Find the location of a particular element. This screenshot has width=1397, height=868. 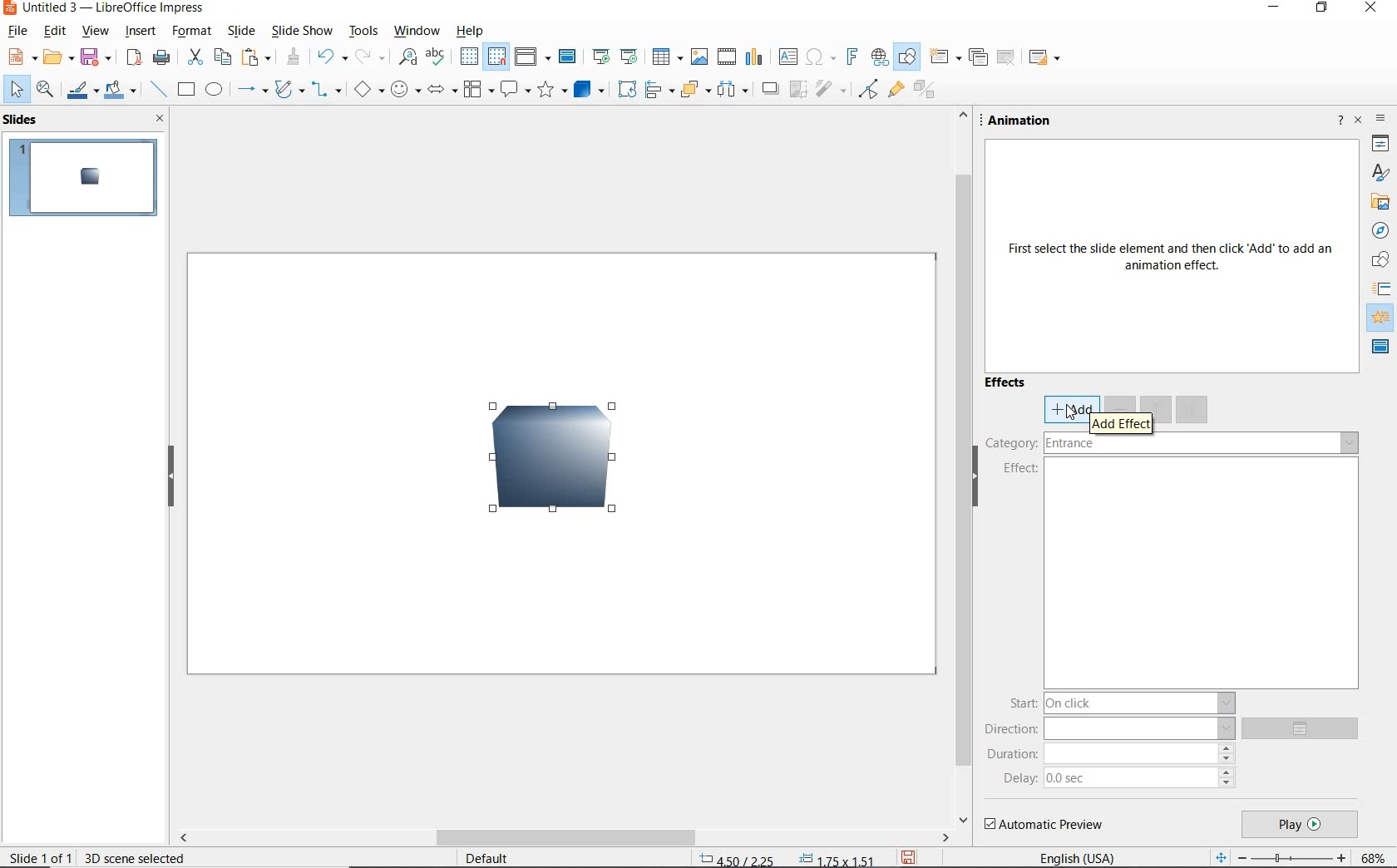

PROPERTIES is located at coordinates (1380, 145).